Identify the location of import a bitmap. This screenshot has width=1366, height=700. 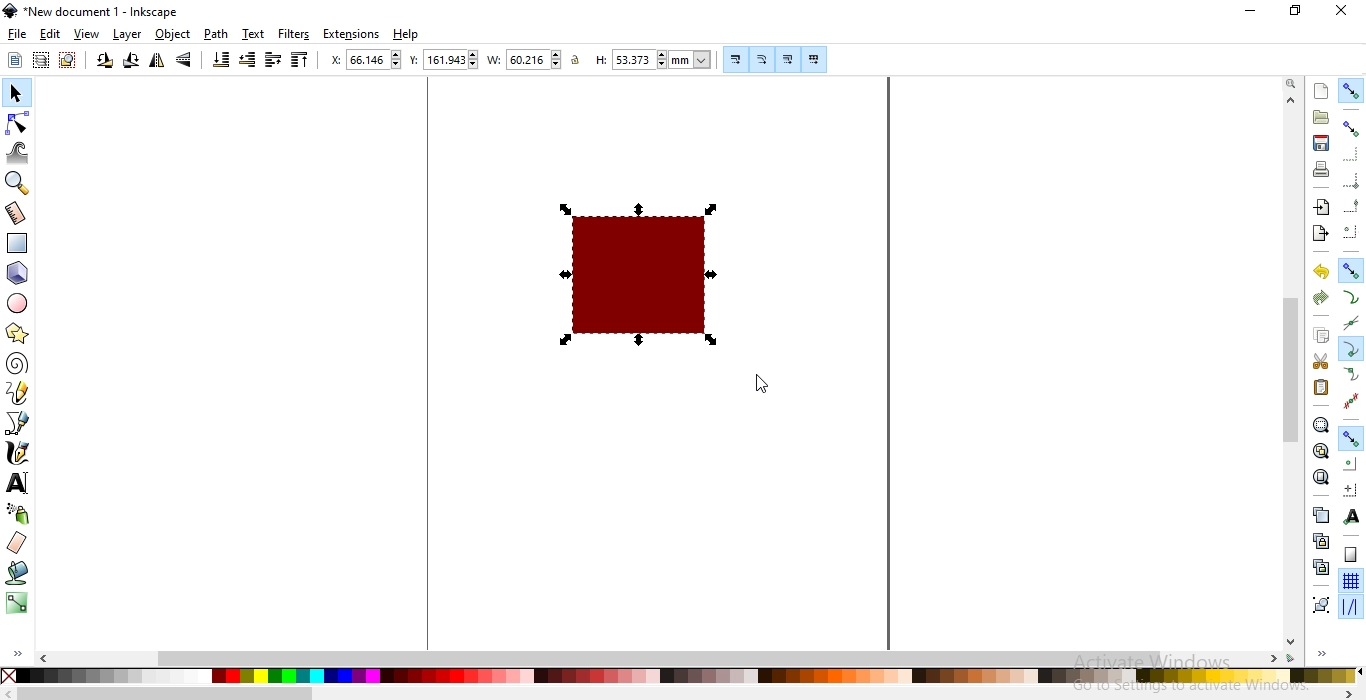
(1321, 207).